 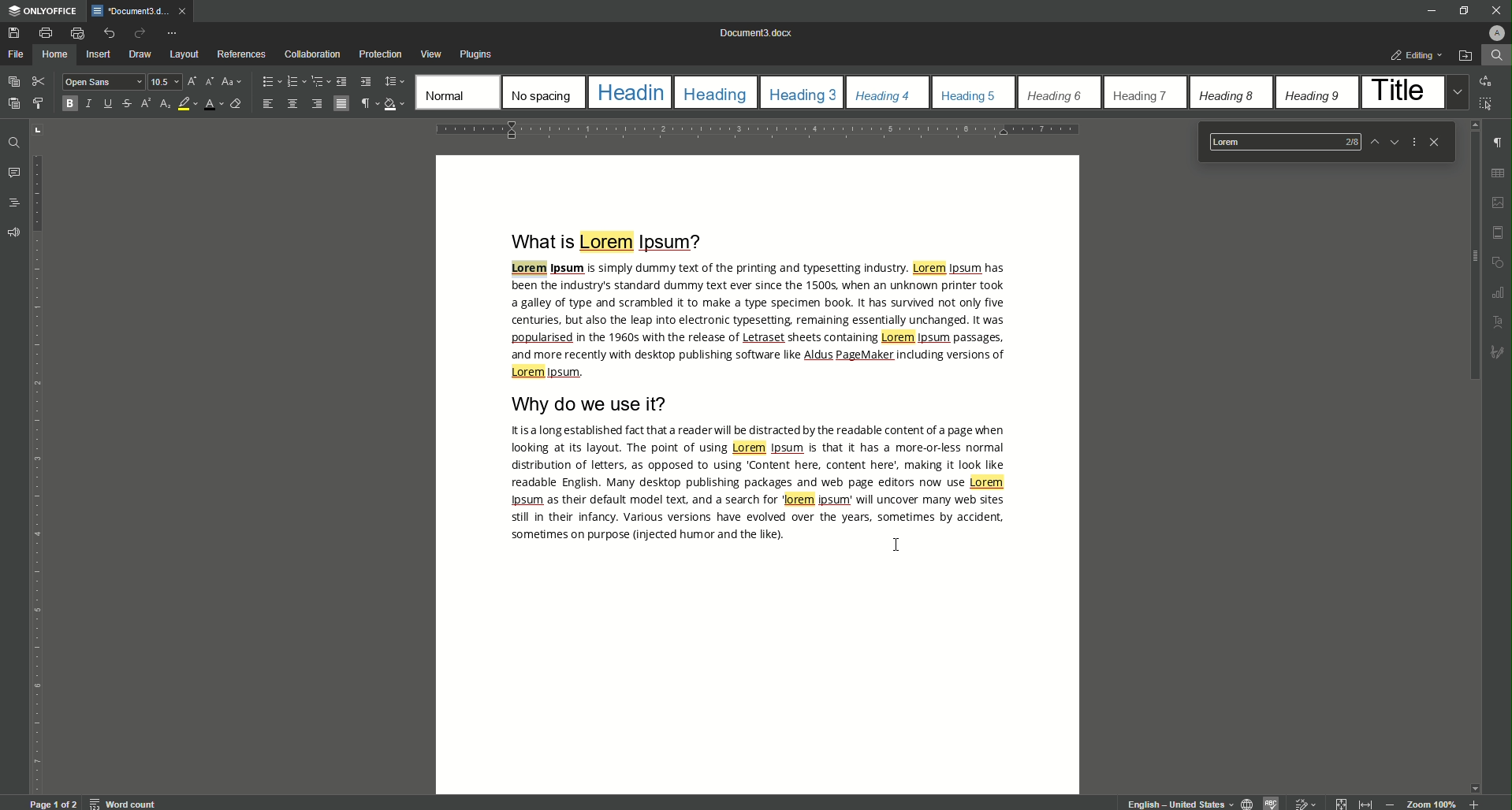 What do you see at coordinates (1393, 141) in the screenshot?
I see `Down` at bounding box center [1393, 141].